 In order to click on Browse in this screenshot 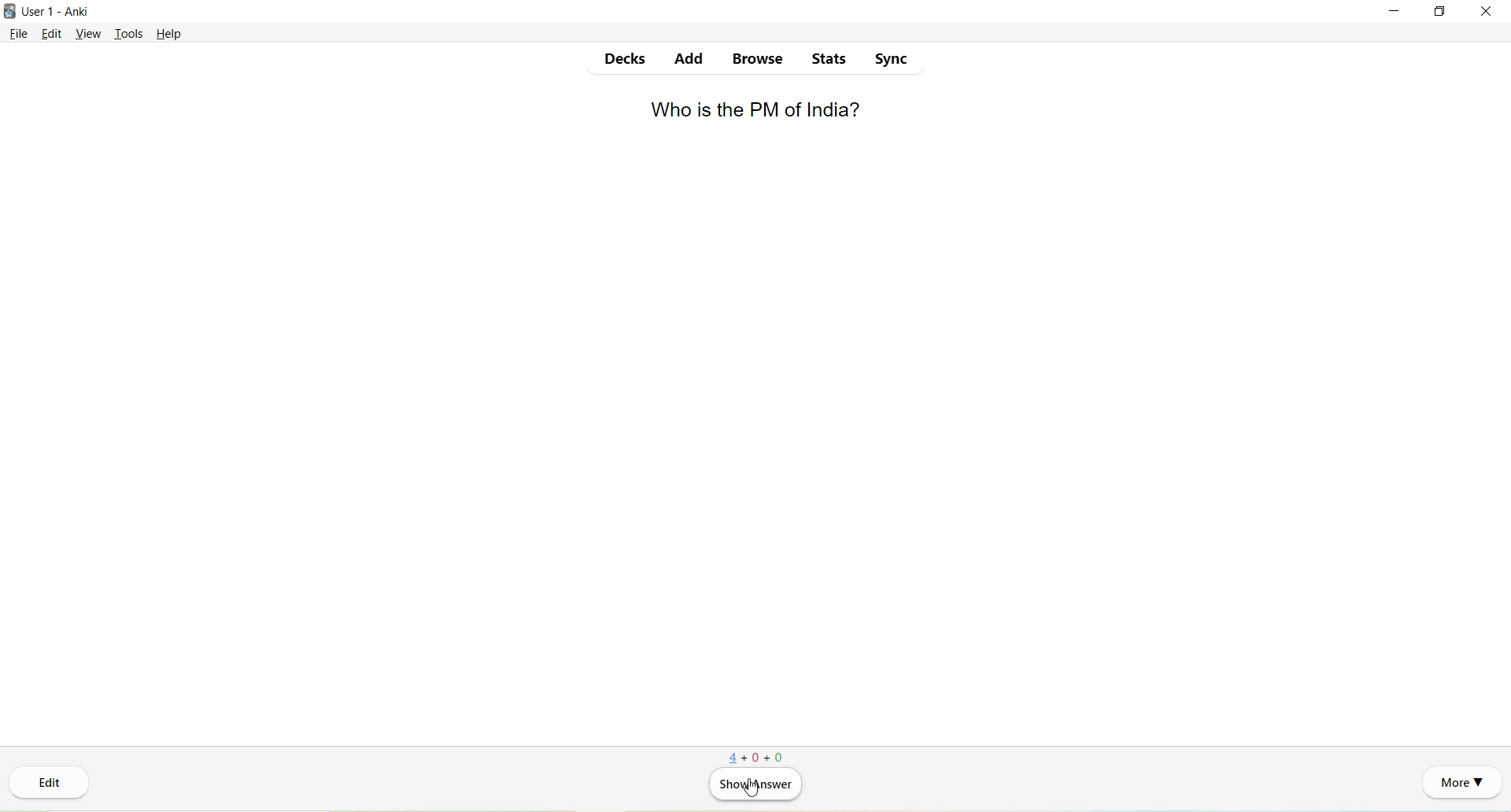, I will do `click(759, 60)`.